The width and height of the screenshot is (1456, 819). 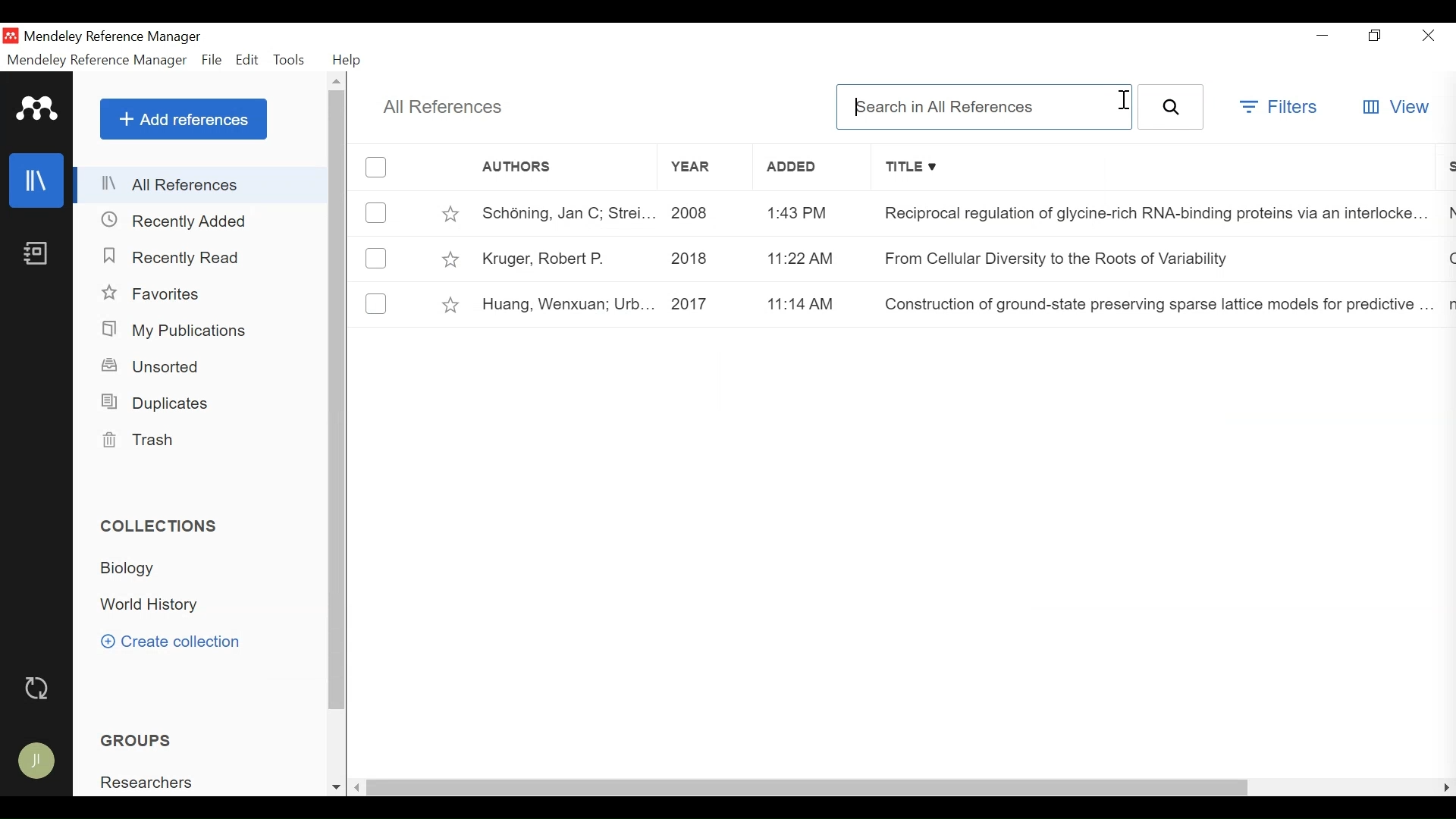 I want to click on Insertion cursor, so click(x=1122, y=102).